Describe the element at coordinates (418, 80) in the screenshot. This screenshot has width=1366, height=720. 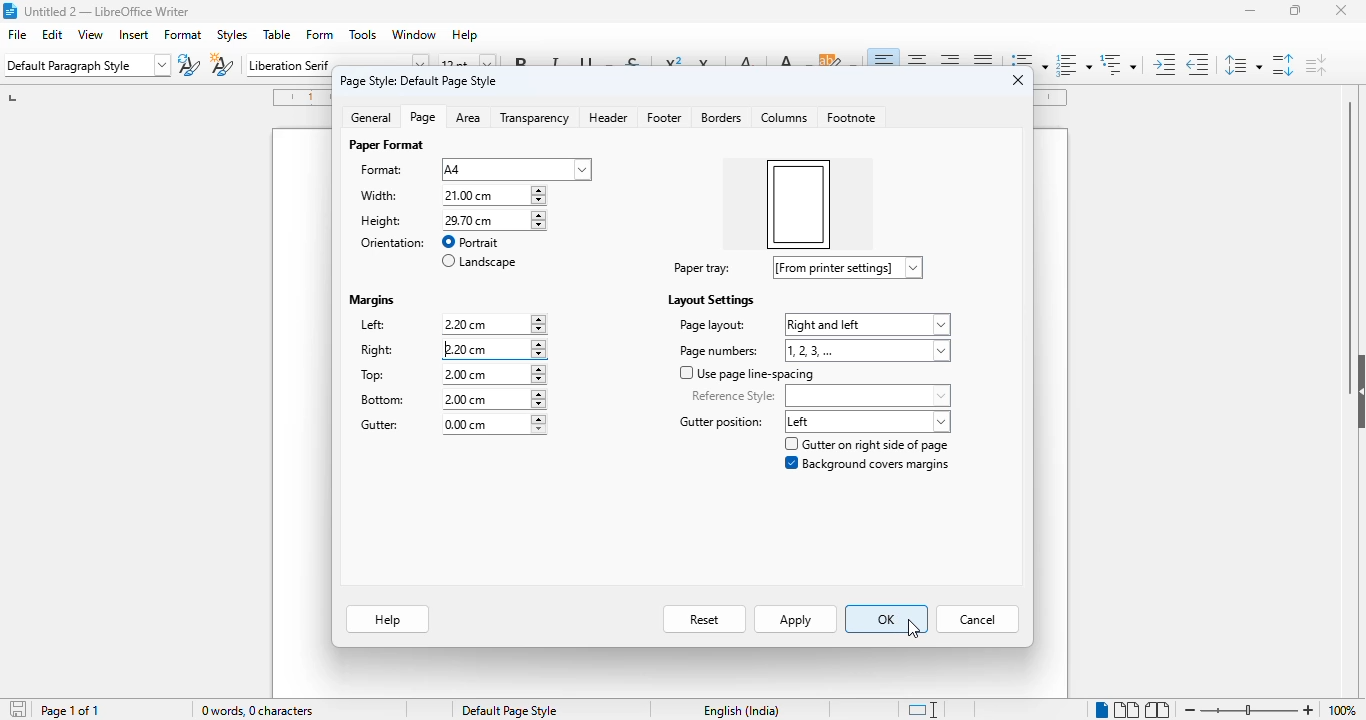
I see `page style: default page style` at that location.